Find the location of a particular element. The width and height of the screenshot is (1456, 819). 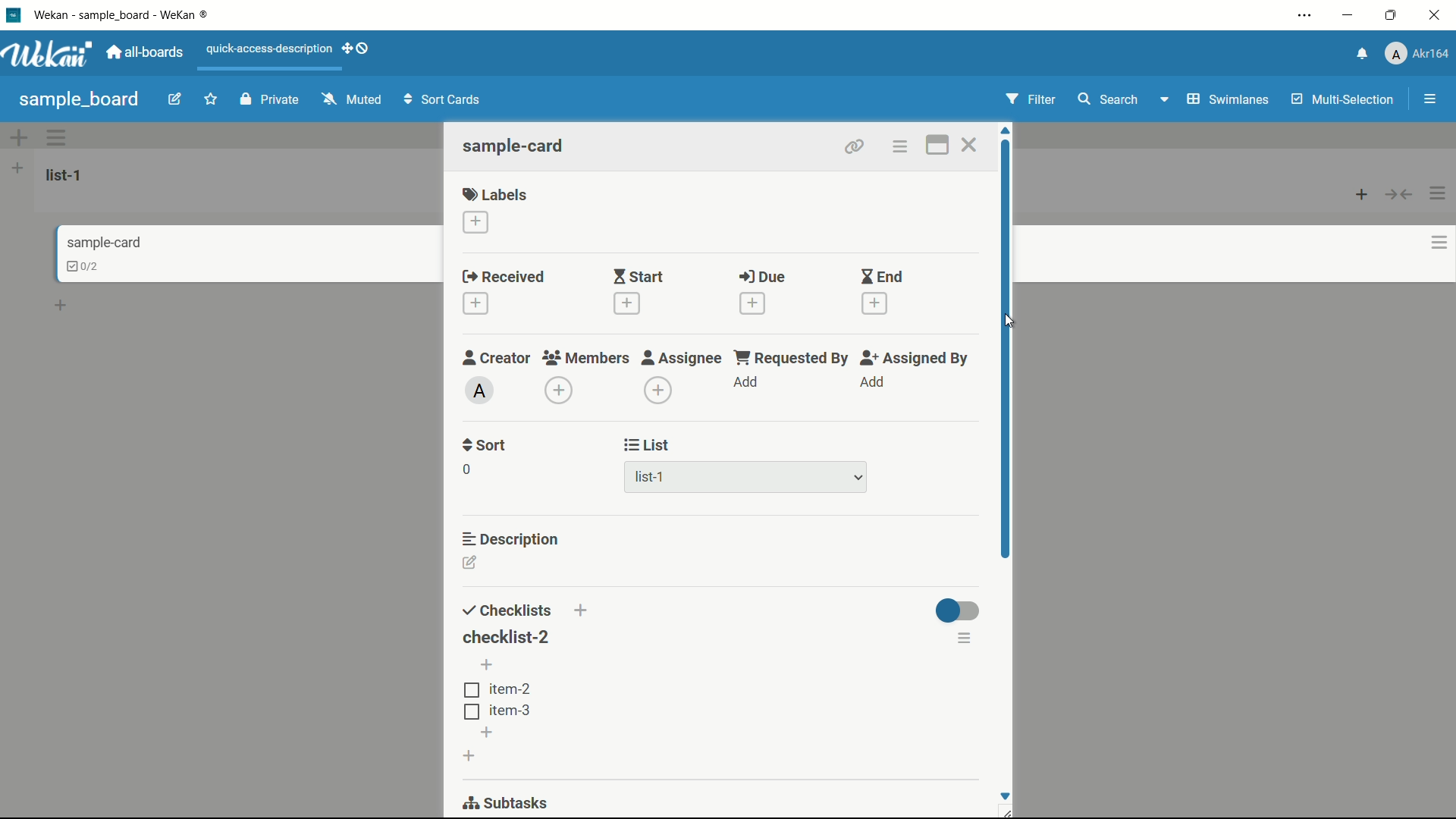

start is located at coordinates (635, 278).